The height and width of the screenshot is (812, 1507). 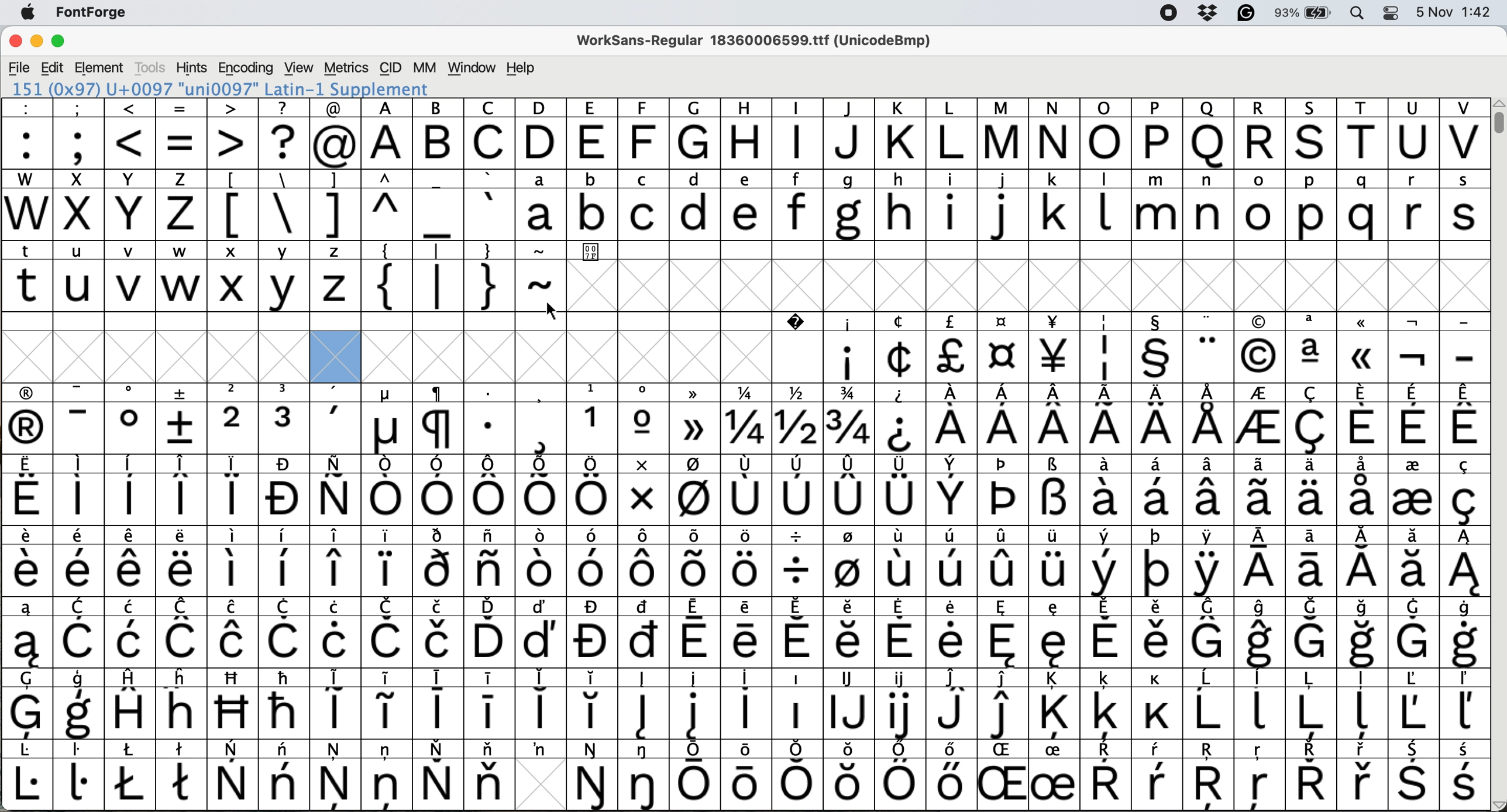 I want to click on P, so click(x=1157, y=133).